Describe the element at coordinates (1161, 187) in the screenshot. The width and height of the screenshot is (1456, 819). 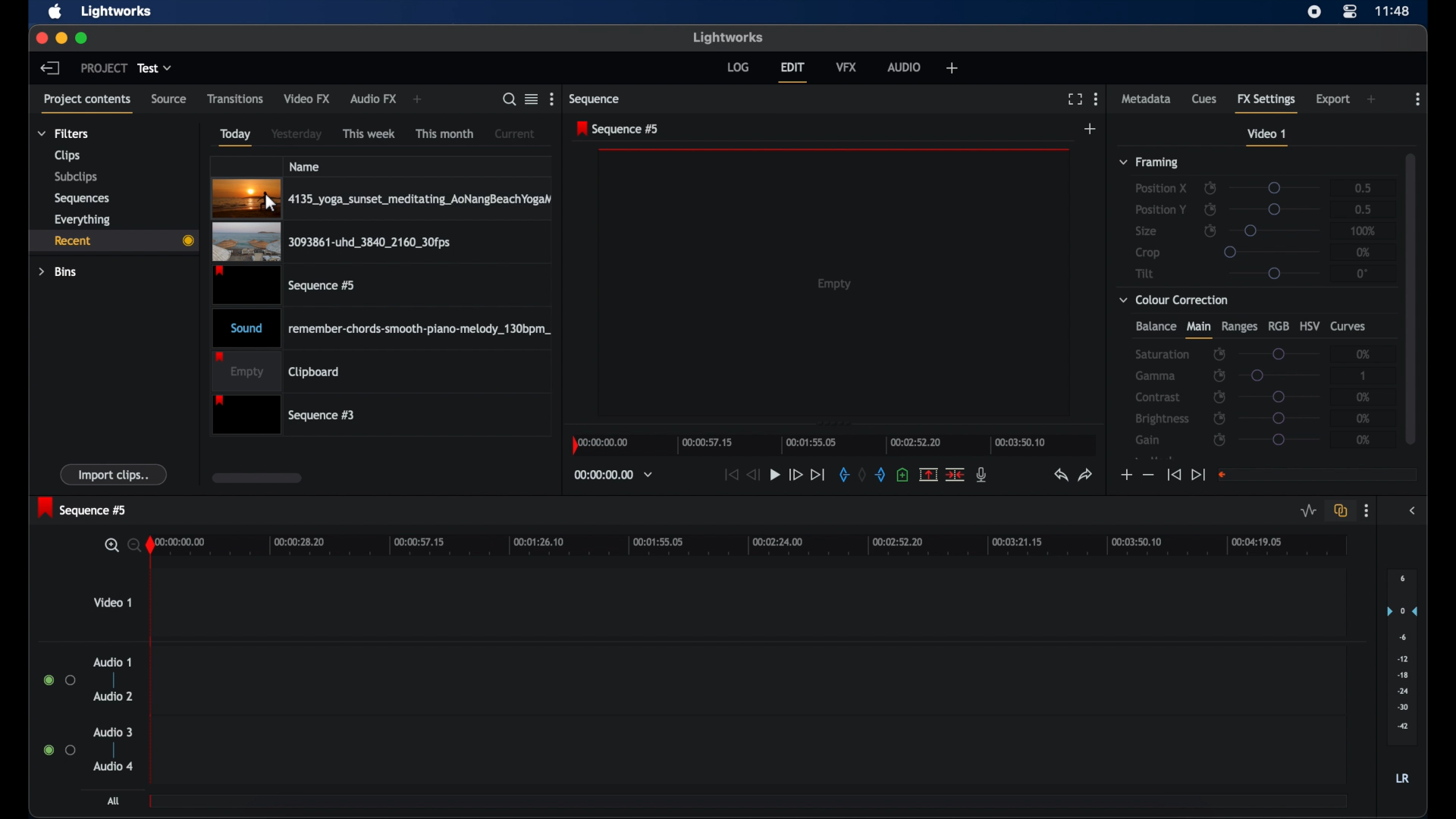
I see `position x` at that location.